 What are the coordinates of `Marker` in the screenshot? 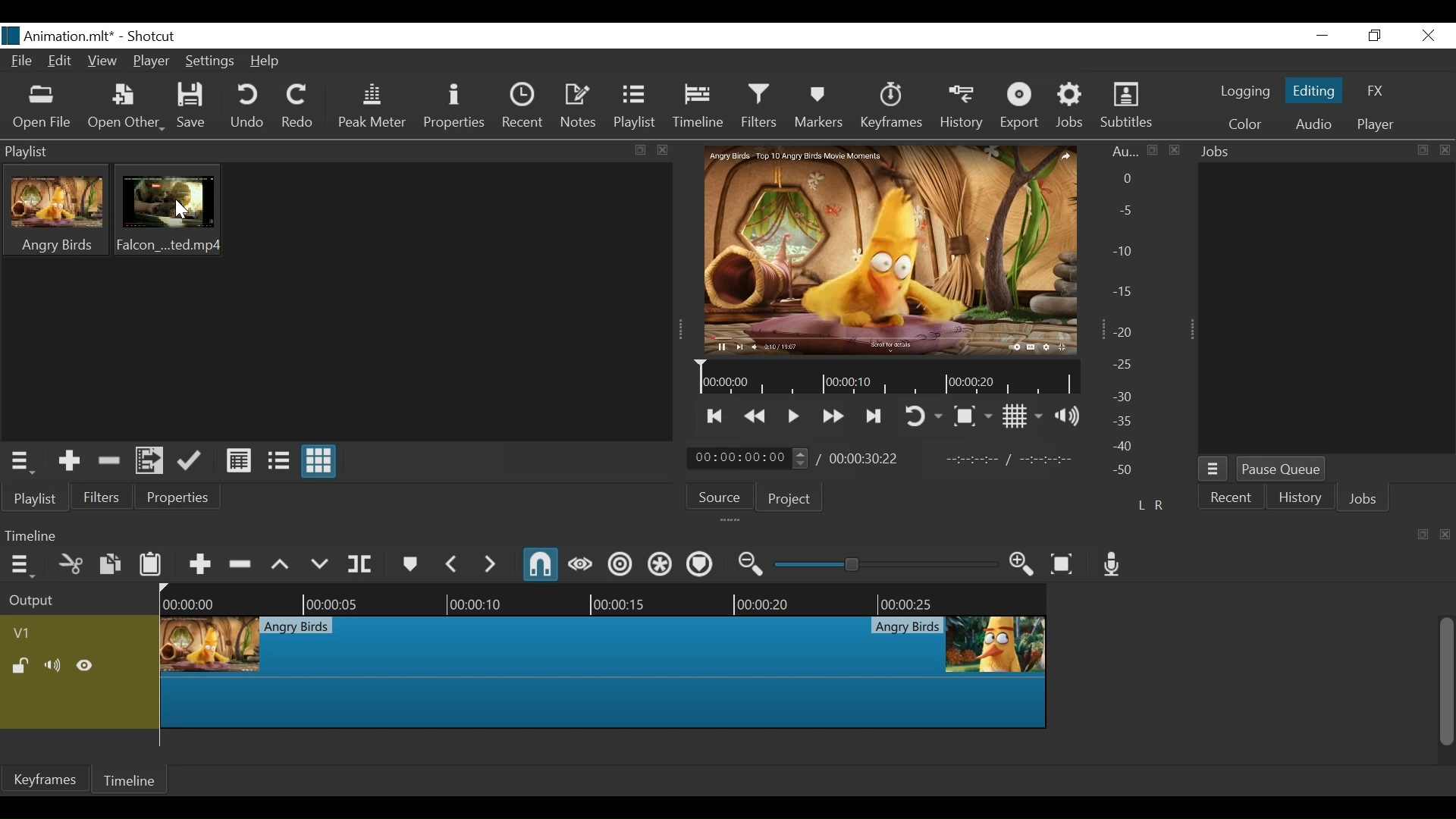 It's located at (409, 562).